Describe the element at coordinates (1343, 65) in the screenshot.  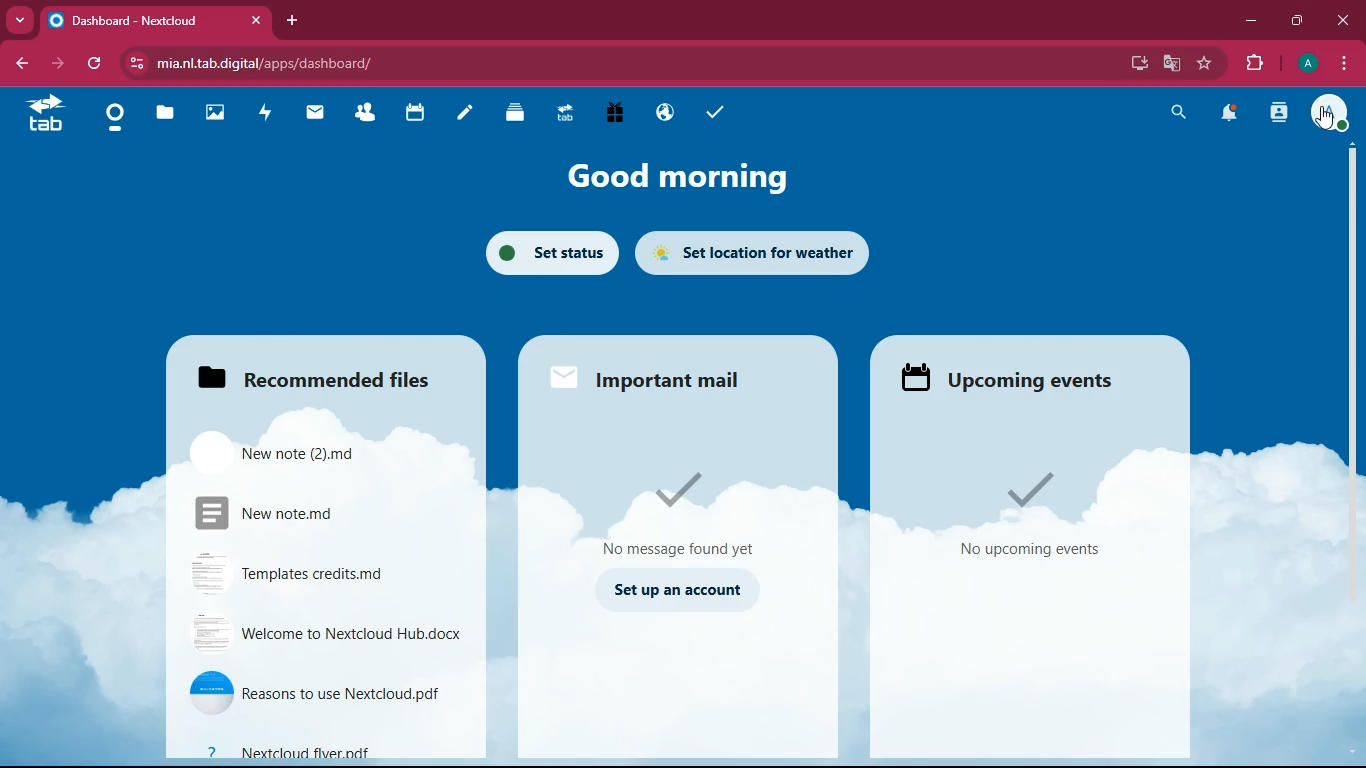
I see `menu` at that location.